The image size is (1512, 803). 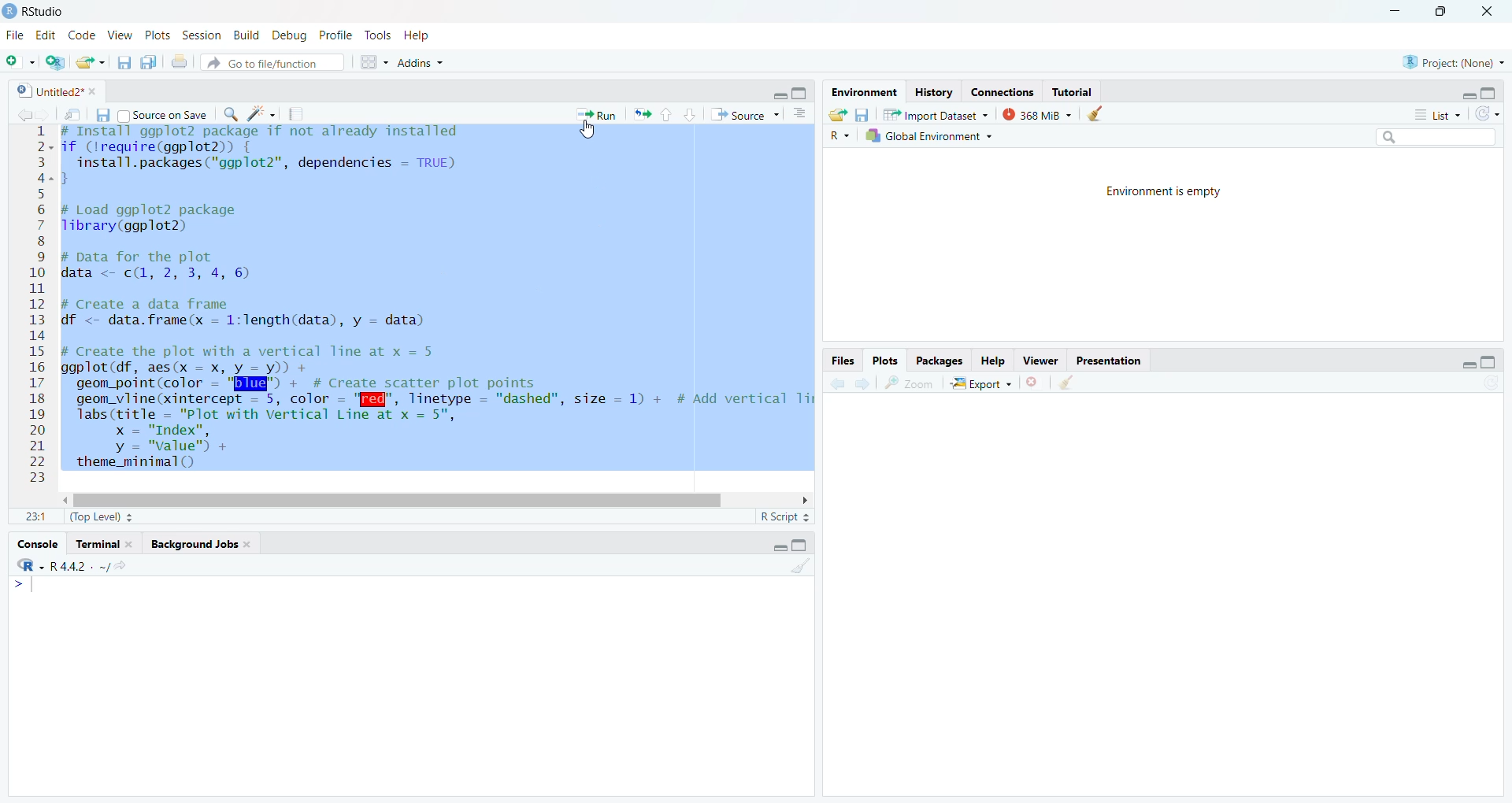 What do you see at coordinates (1076, 91) in the screenshot?
I see `Tutorial` at bounding box center [1076, 91].